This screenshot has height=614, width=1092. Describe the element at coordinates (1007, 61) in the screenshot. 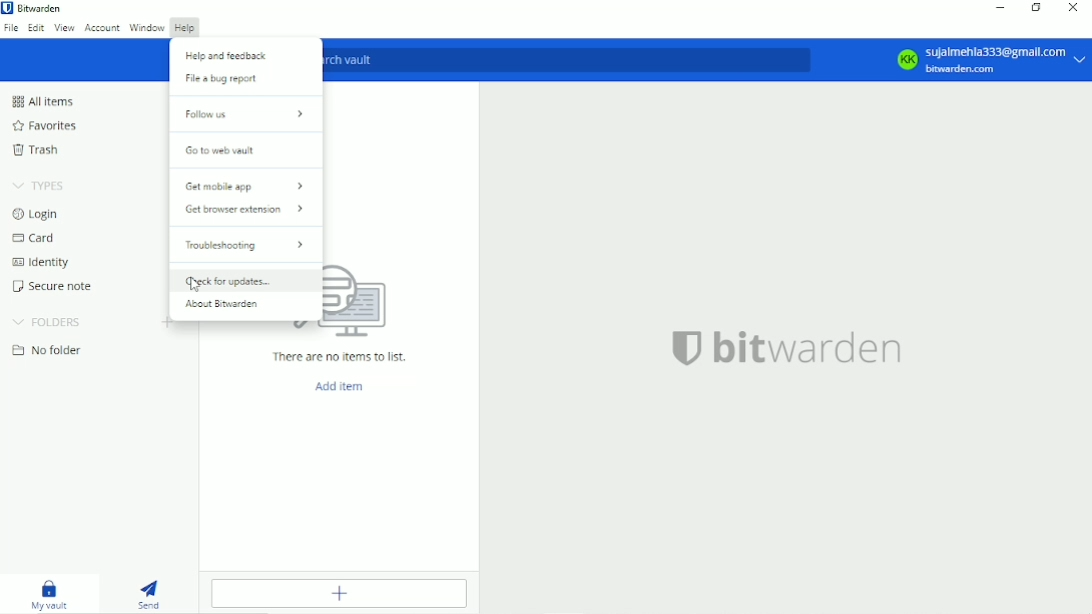

I see `sujaimehla333@gmail.com bitwarden.com` at that location.